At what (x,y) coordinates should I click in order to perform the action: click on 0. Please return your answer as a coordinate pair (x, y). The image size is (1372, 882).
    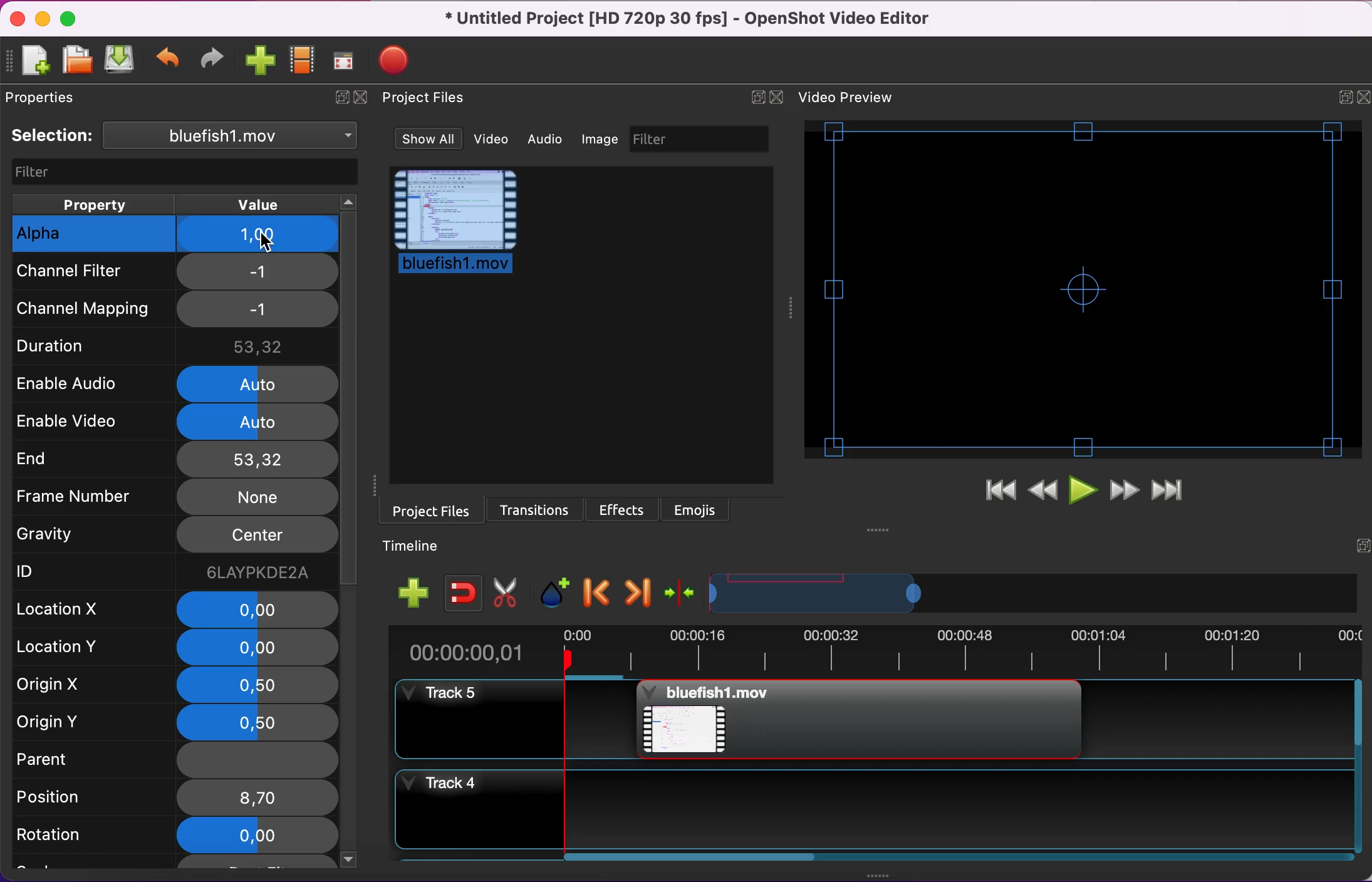
    Looking at the image, I should click on (259, 647).